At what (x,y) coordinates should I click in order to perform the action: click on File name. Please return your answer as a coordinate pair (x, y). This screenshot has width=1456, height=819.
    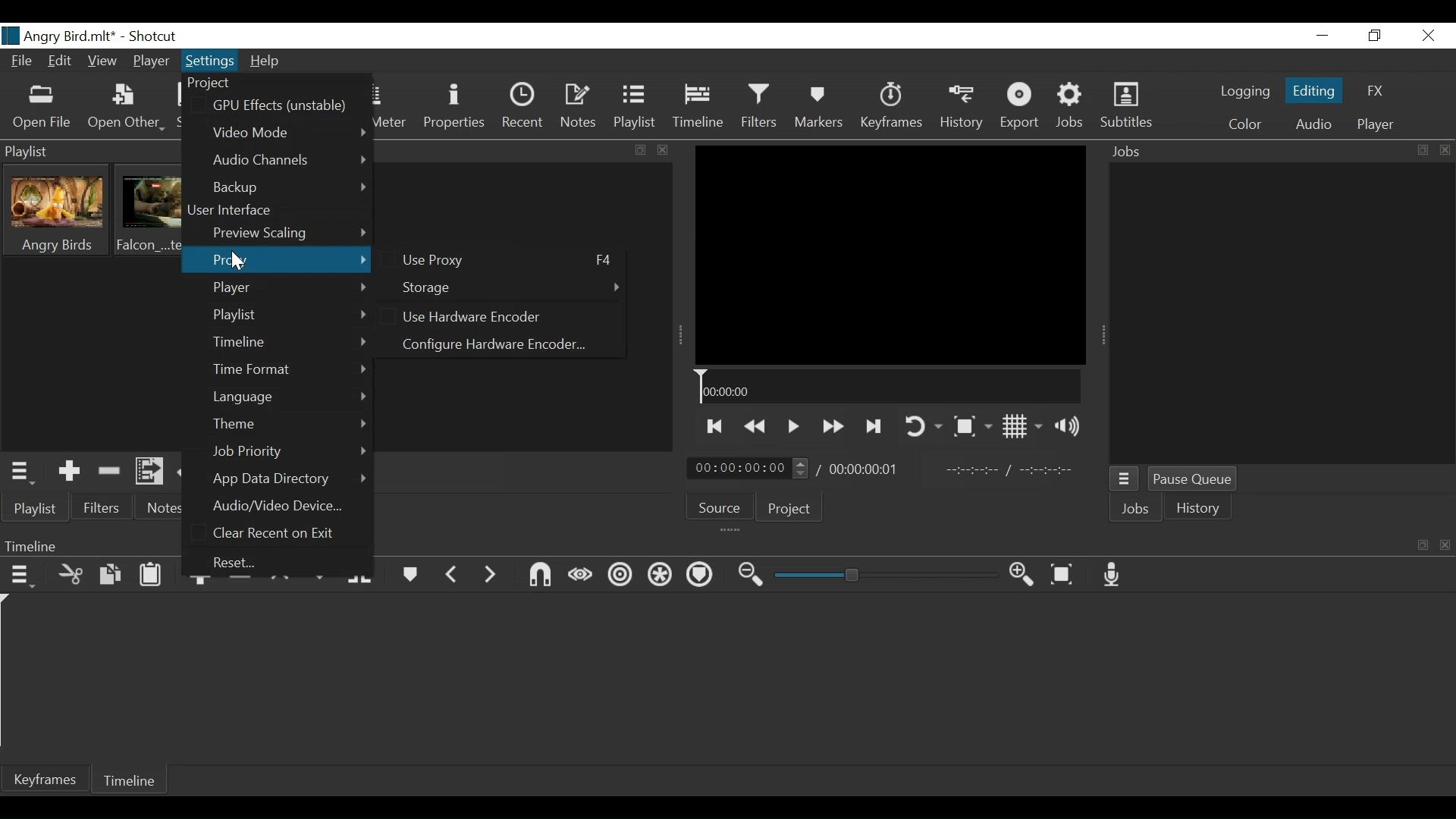
    Looking at the image, I should click on (62, 35).